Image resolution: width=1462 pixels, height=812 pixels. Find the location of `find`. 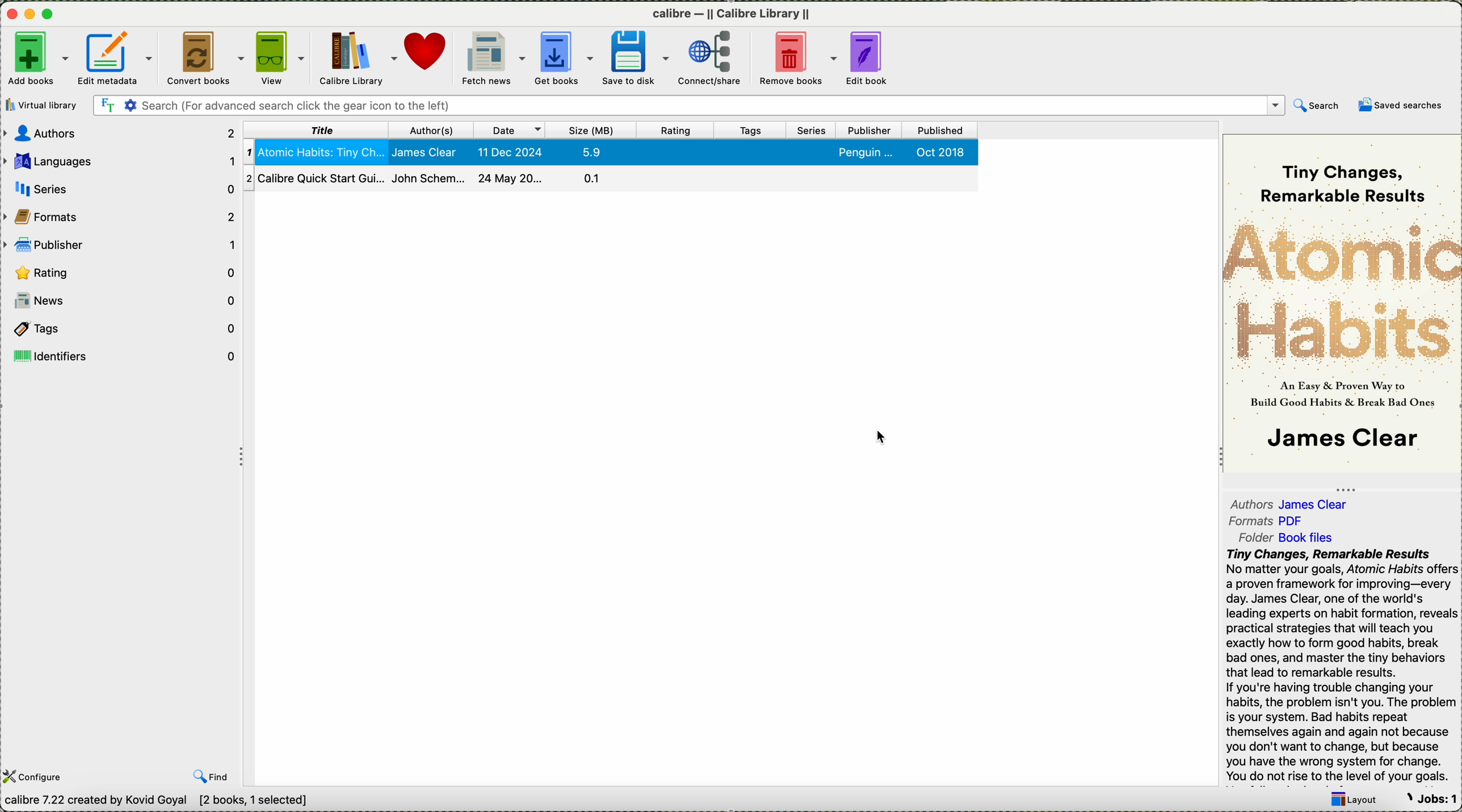

find is located at coordinates (214, 776).